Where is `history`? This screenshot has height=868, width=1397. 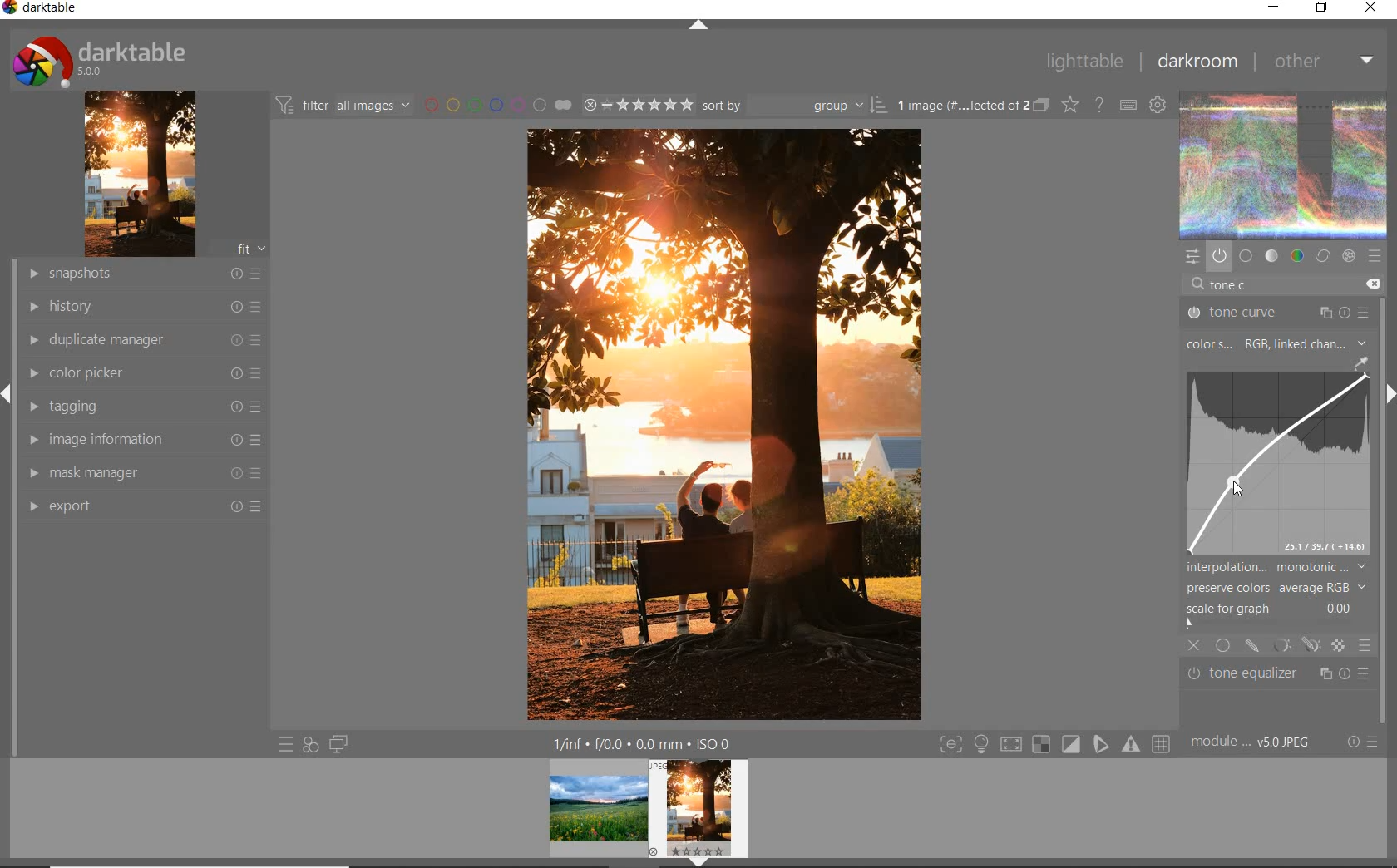
history is located at coordinates (140, 307).